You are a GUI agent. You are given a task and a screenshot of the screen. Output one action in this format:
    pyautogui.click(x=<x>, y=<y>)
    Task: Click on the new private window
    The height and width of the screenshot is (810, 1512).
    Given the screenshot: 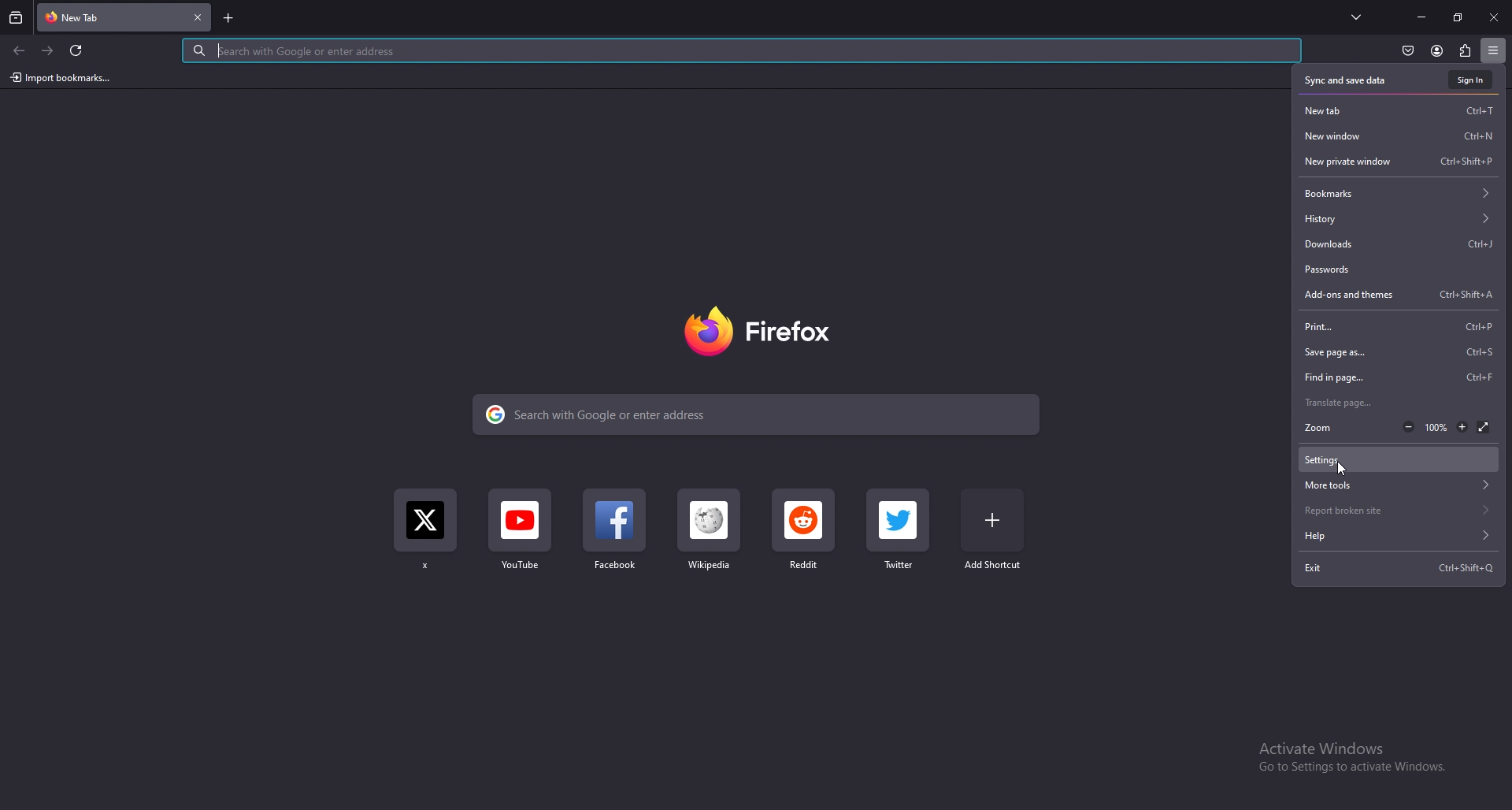 What is the action you would take?
    pyautogui.click(x=1398, y=162)
    